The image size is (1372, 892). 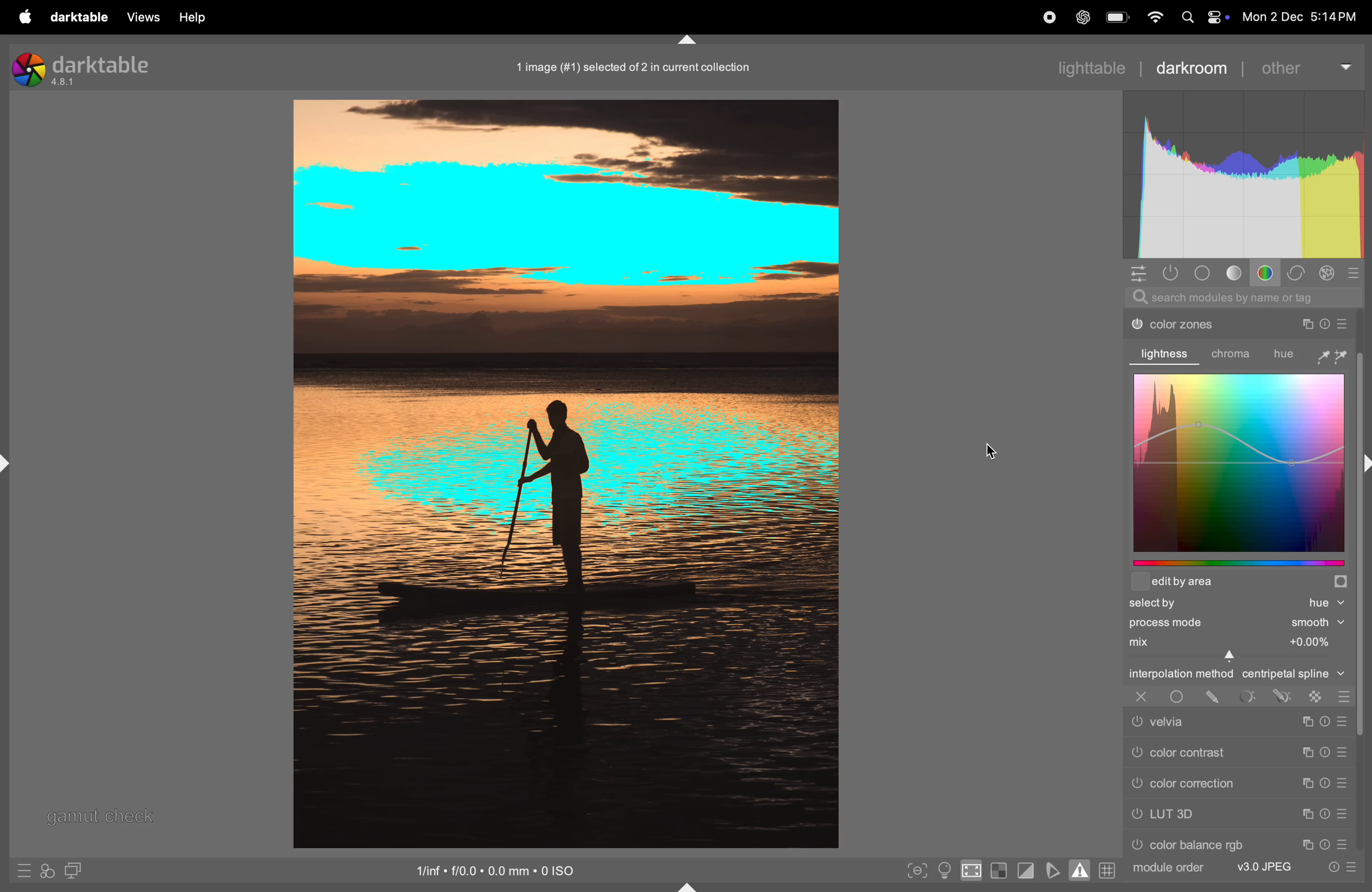 What do you see at coordinates (1143, 695) in the screenshot?
I see `` at bounding box center [1143, 695].